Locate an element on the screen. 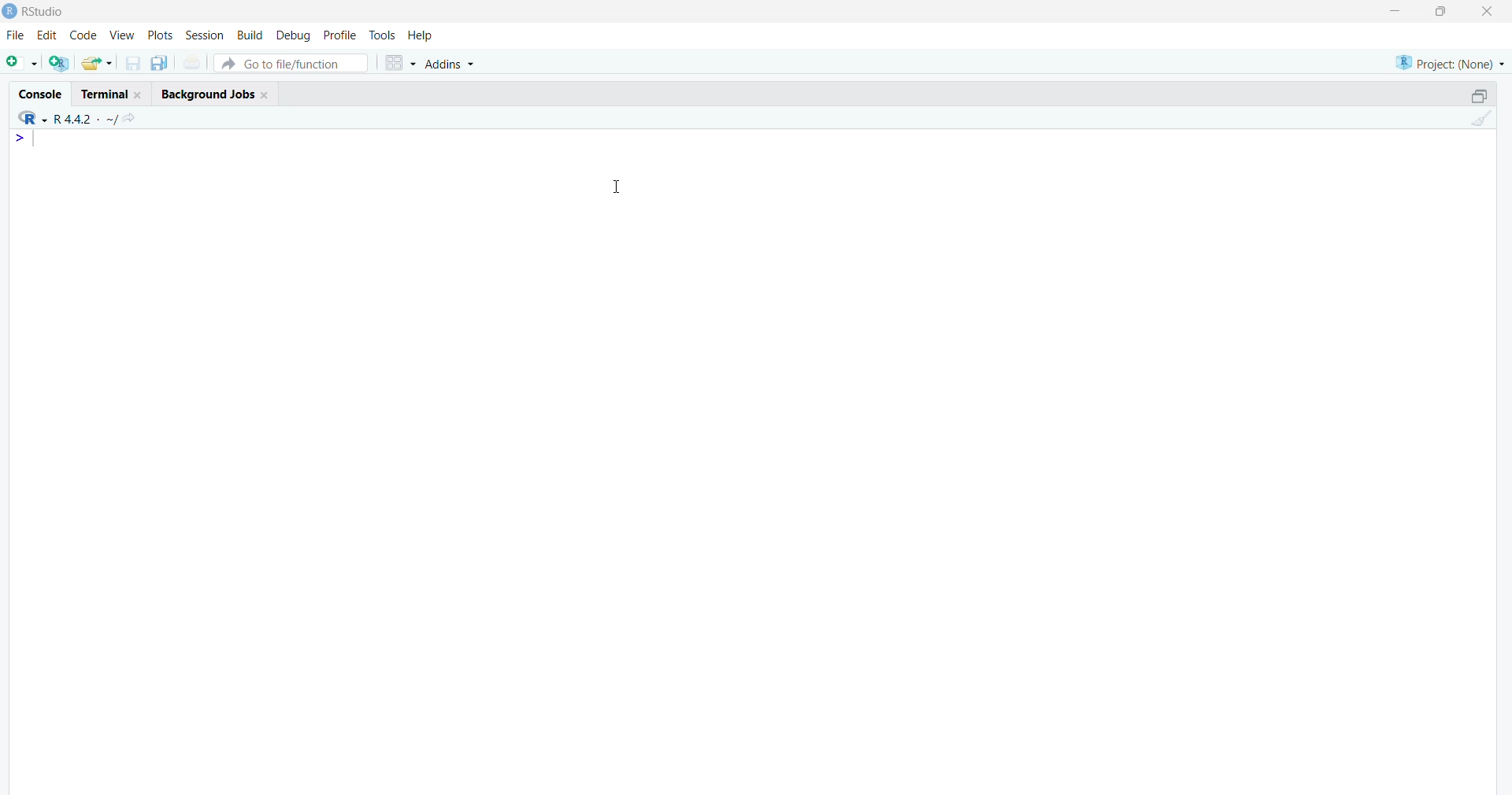 The image size is (1512, 795). collapse is located at coordinates (1473, 98).